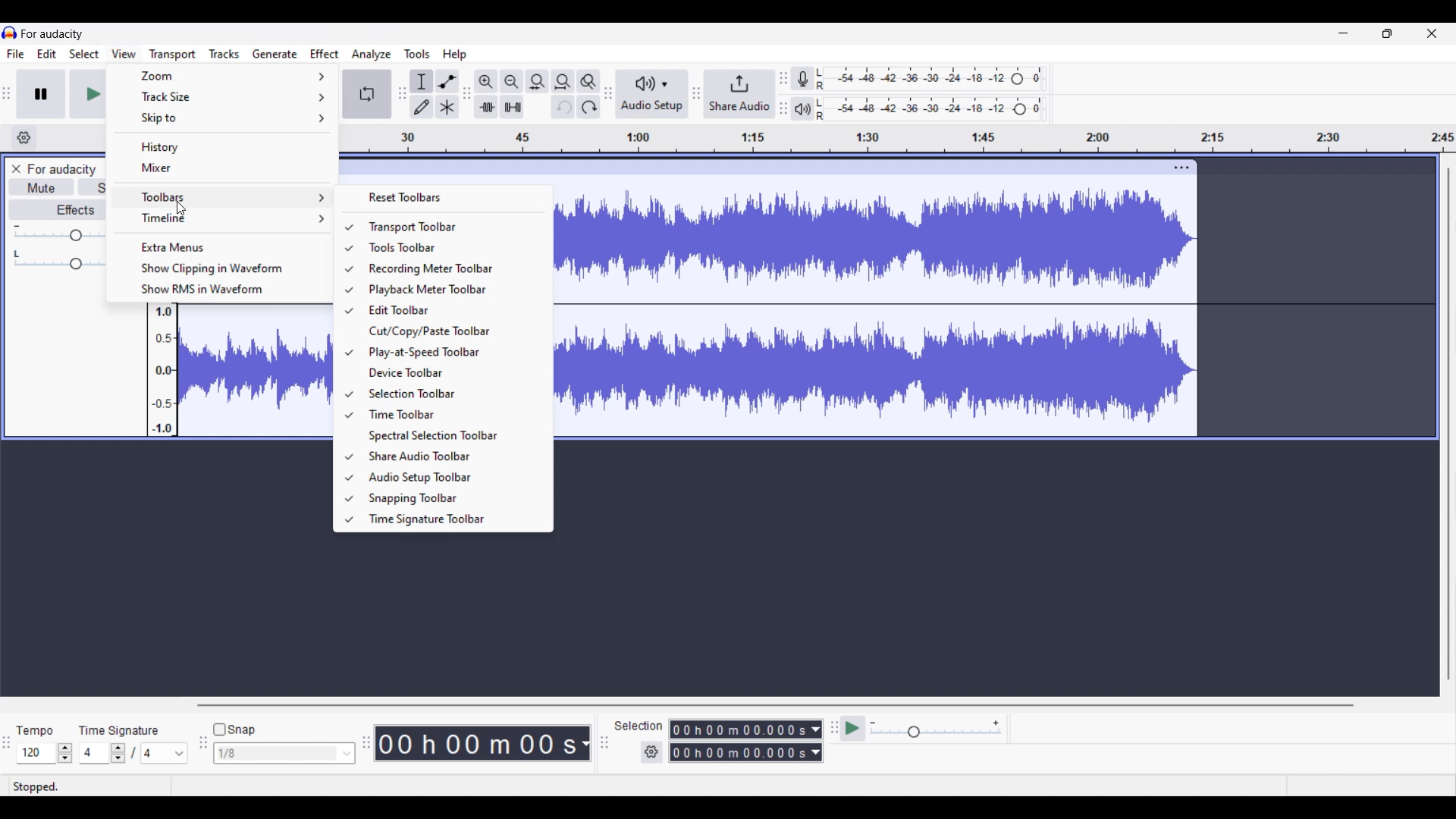  What do you see at coordinates (349, 374) in the screenshot?
I see `Check indicates toolbar is included` at bounding box center [349, 374].